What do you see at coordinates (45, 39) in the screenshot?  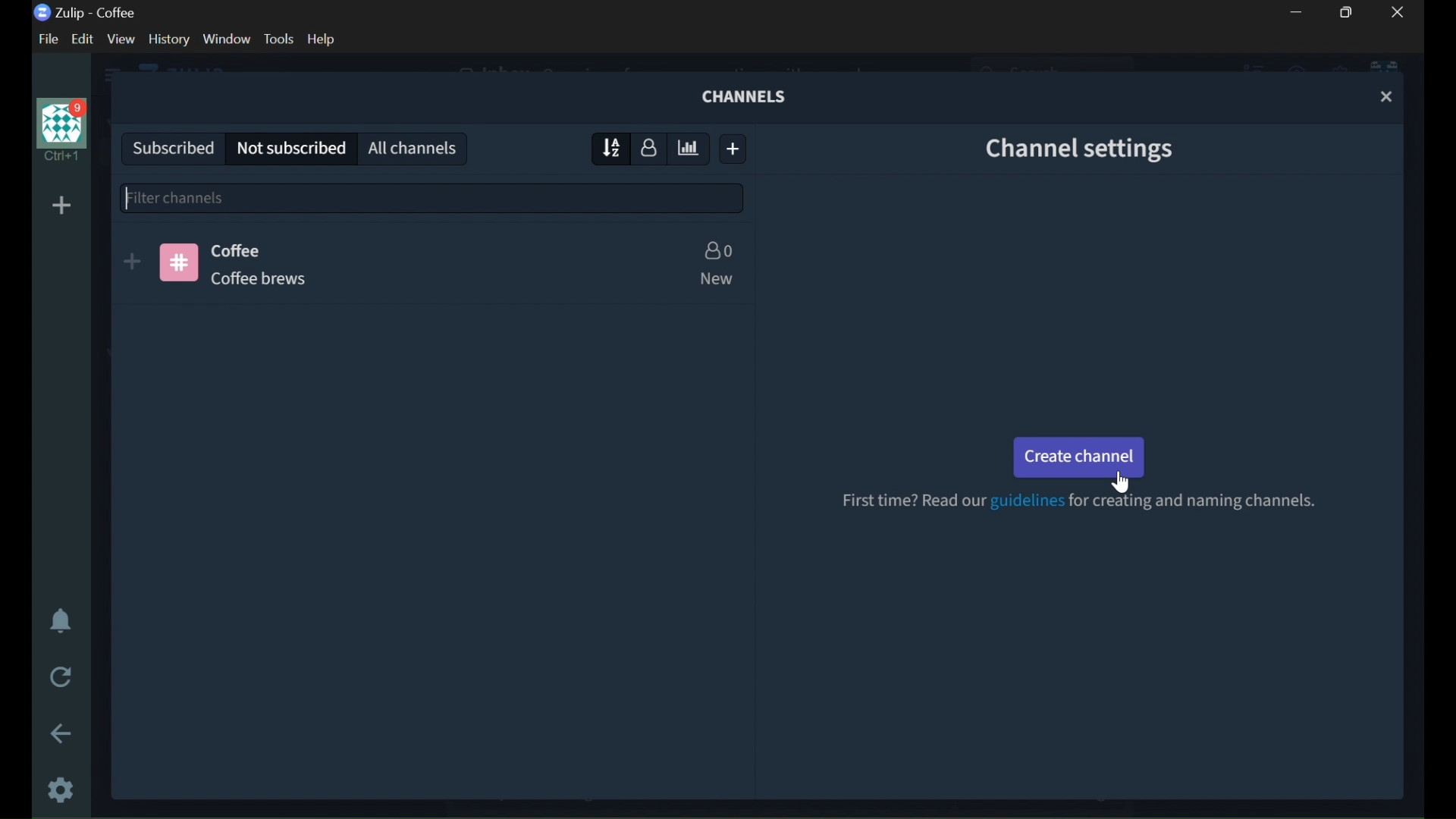 I see `file` at bounding box center [45, 39].